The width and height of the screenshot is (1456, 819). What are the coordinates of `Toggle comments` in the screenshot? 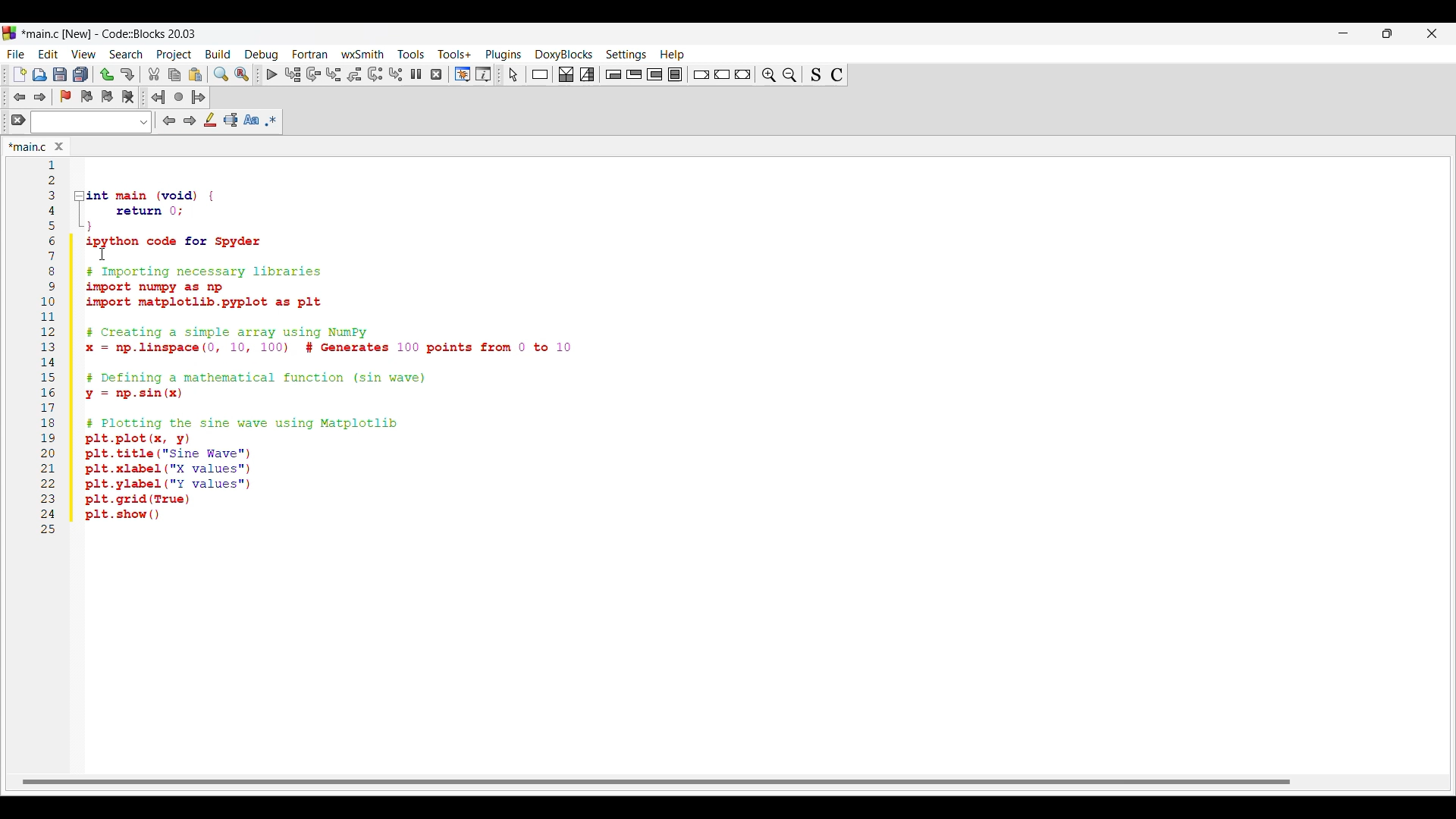 It's located at (837, 74).